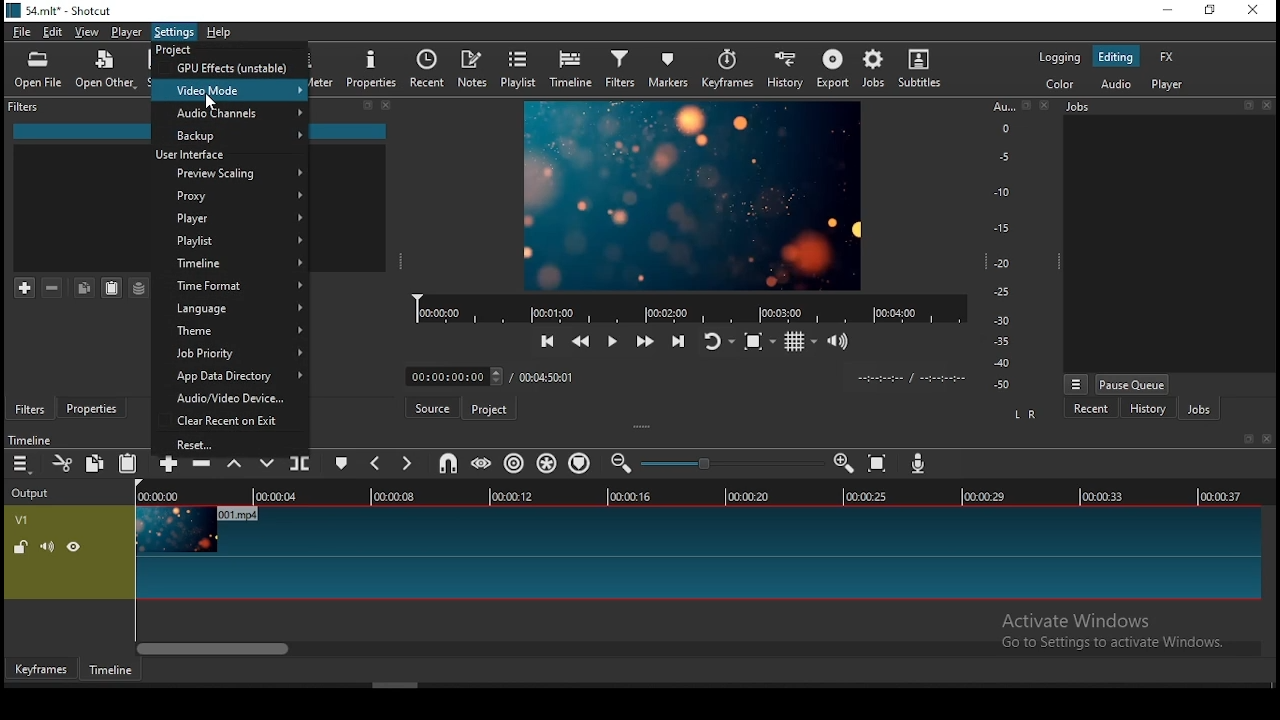  What do you see at coordinates (1002, 293) in the screenshot?
I see `-25` at bounding box center [1002, 293].